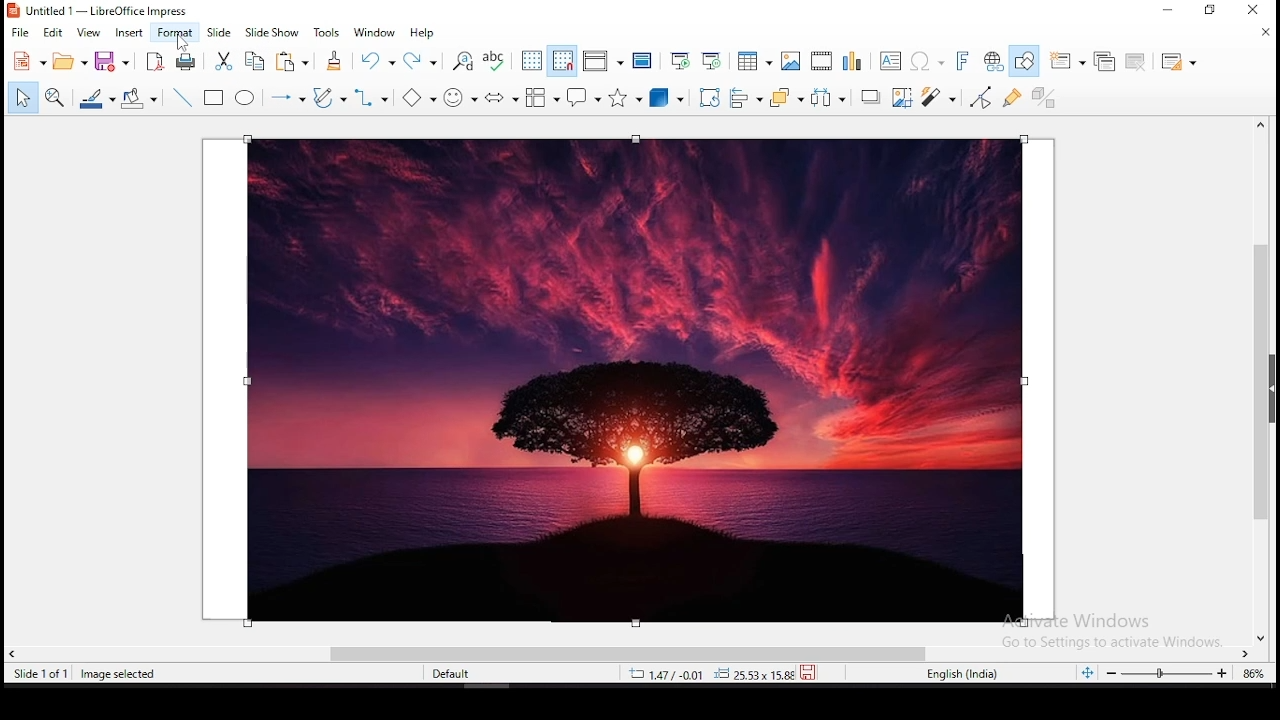 Image resolution: width=1280 pixels, height=720 pixels. Describe the element at coordinates (633, 379) in the screenshot. I see `image` at that location.